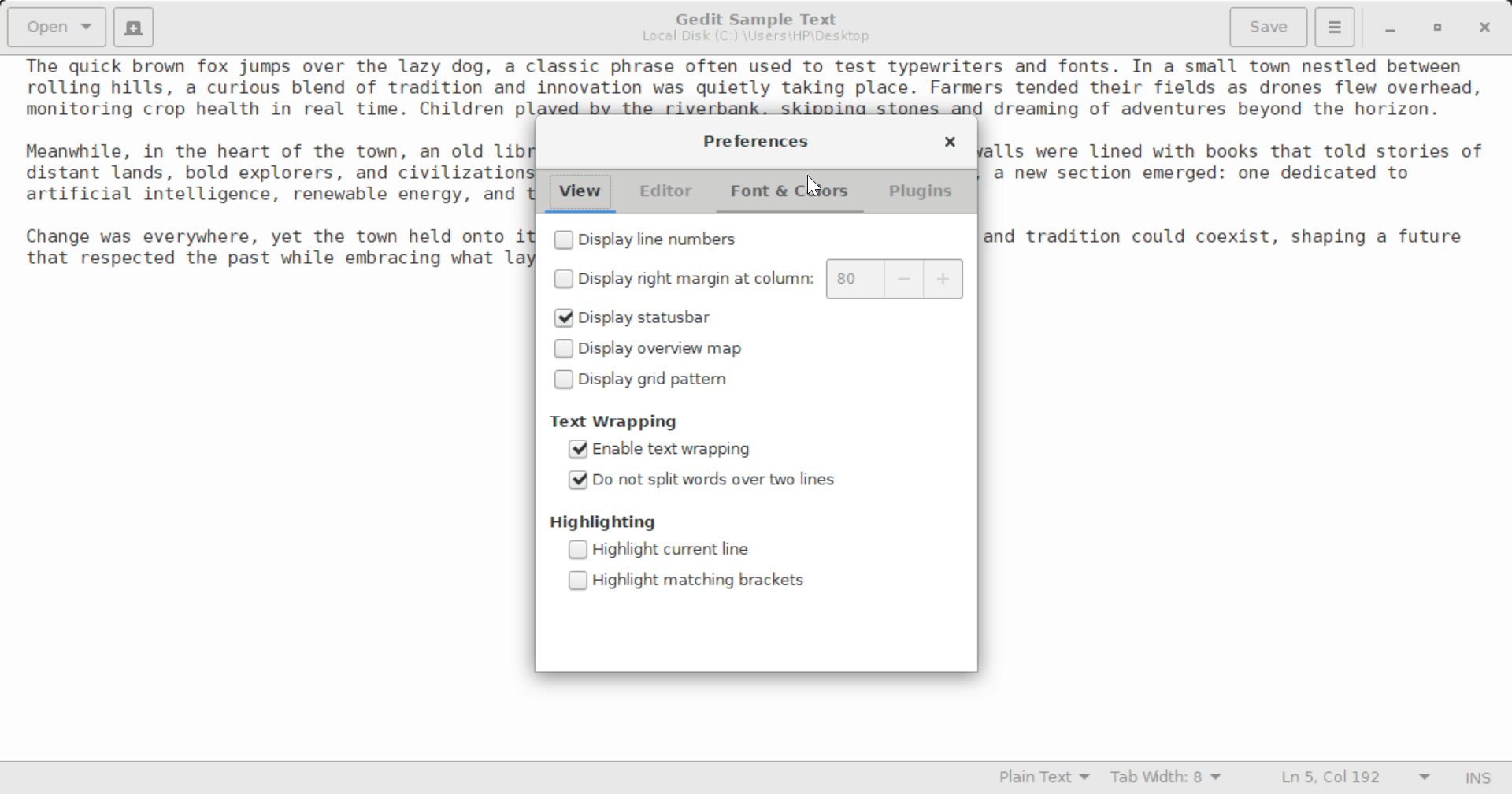  I want to click on Display Line Numbers, so click(648, 239).